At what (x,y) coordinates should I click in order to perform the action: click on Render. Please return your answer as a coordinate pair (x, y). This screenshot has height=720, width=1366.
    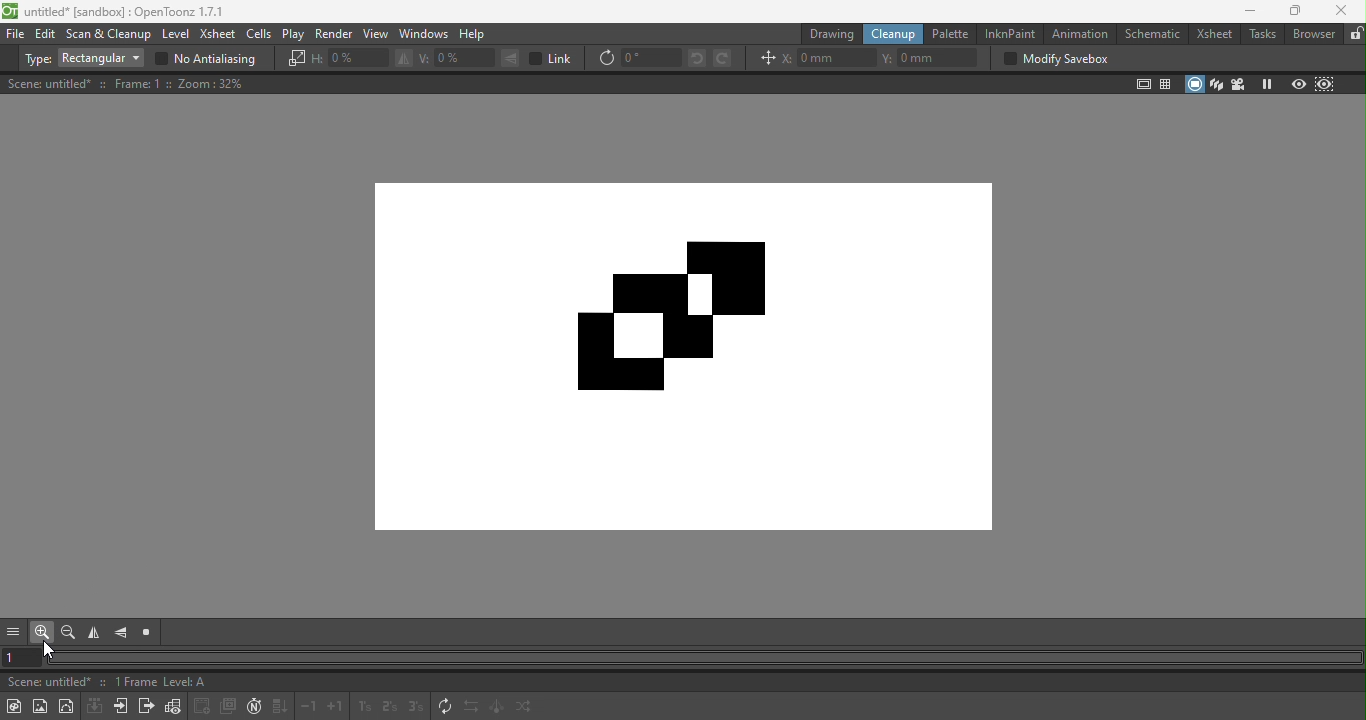
    Looking at the image, I should click on (332, 33).